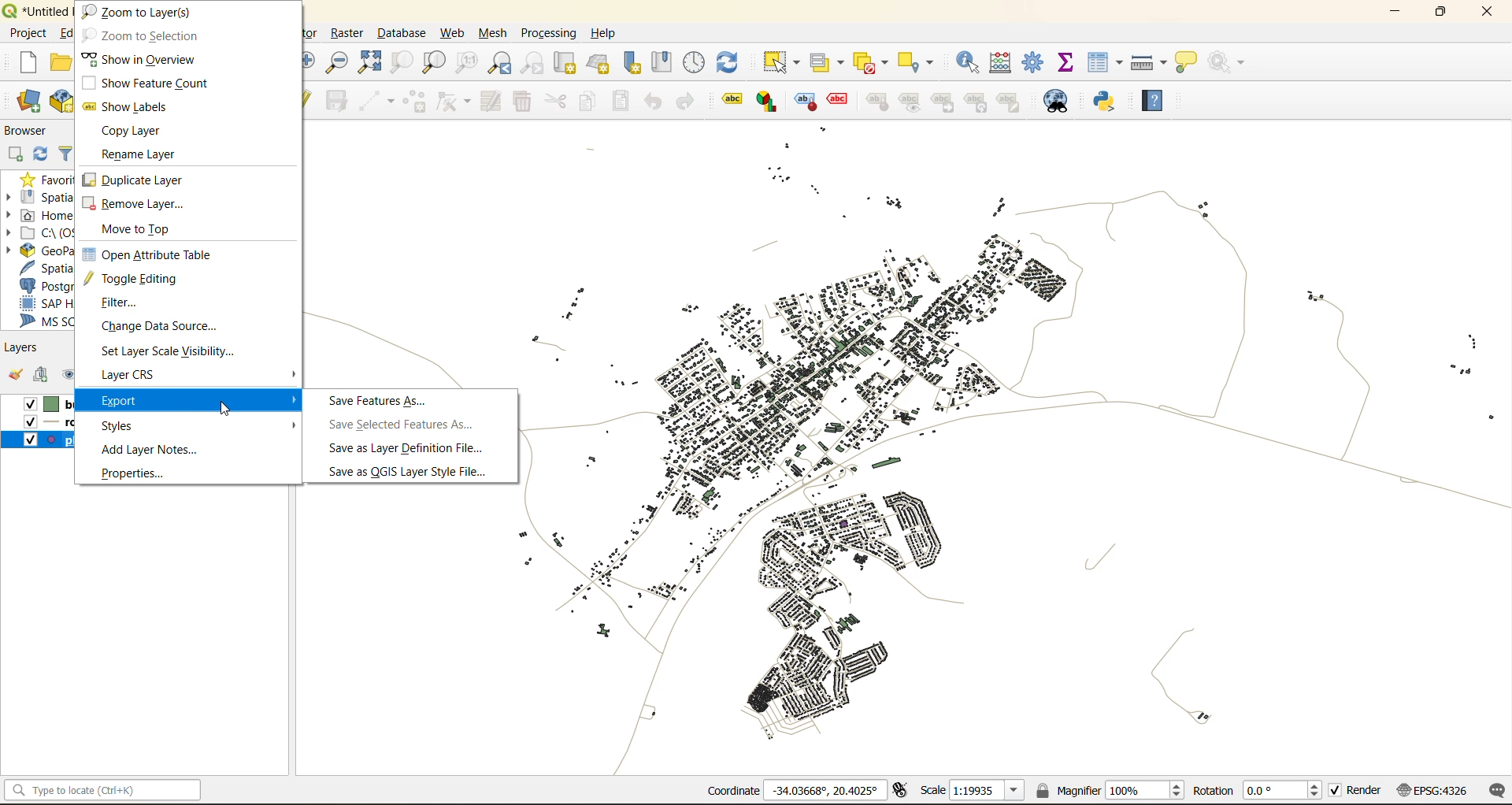 The height and width of the screenshot is (805, 1512). What do you see at coordinates (902, 790) in the screenshot?
I see `toggle extents` at bounding box center [902, 790].